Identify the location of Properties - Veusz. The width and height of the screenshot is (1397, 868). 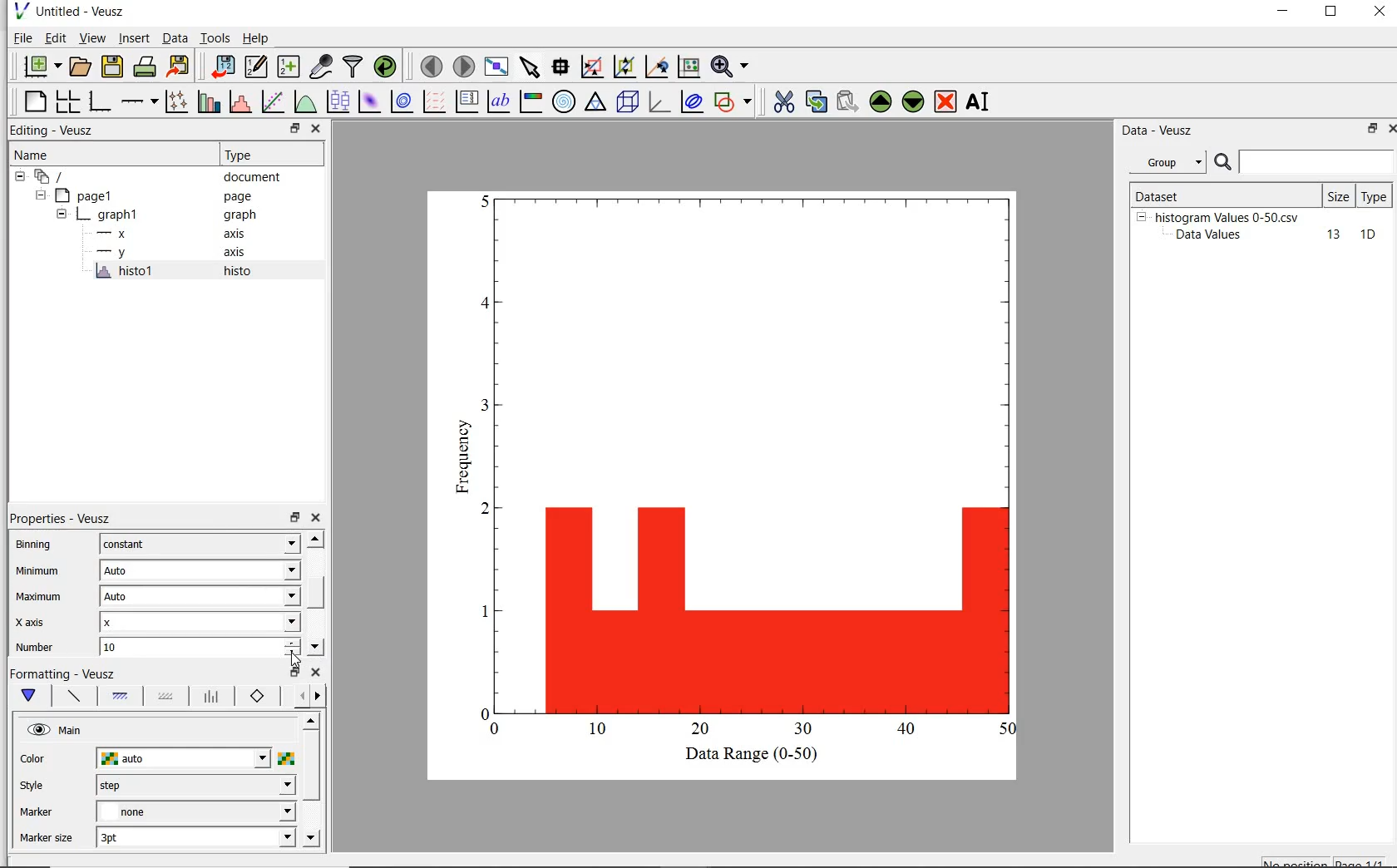
(59, 517).